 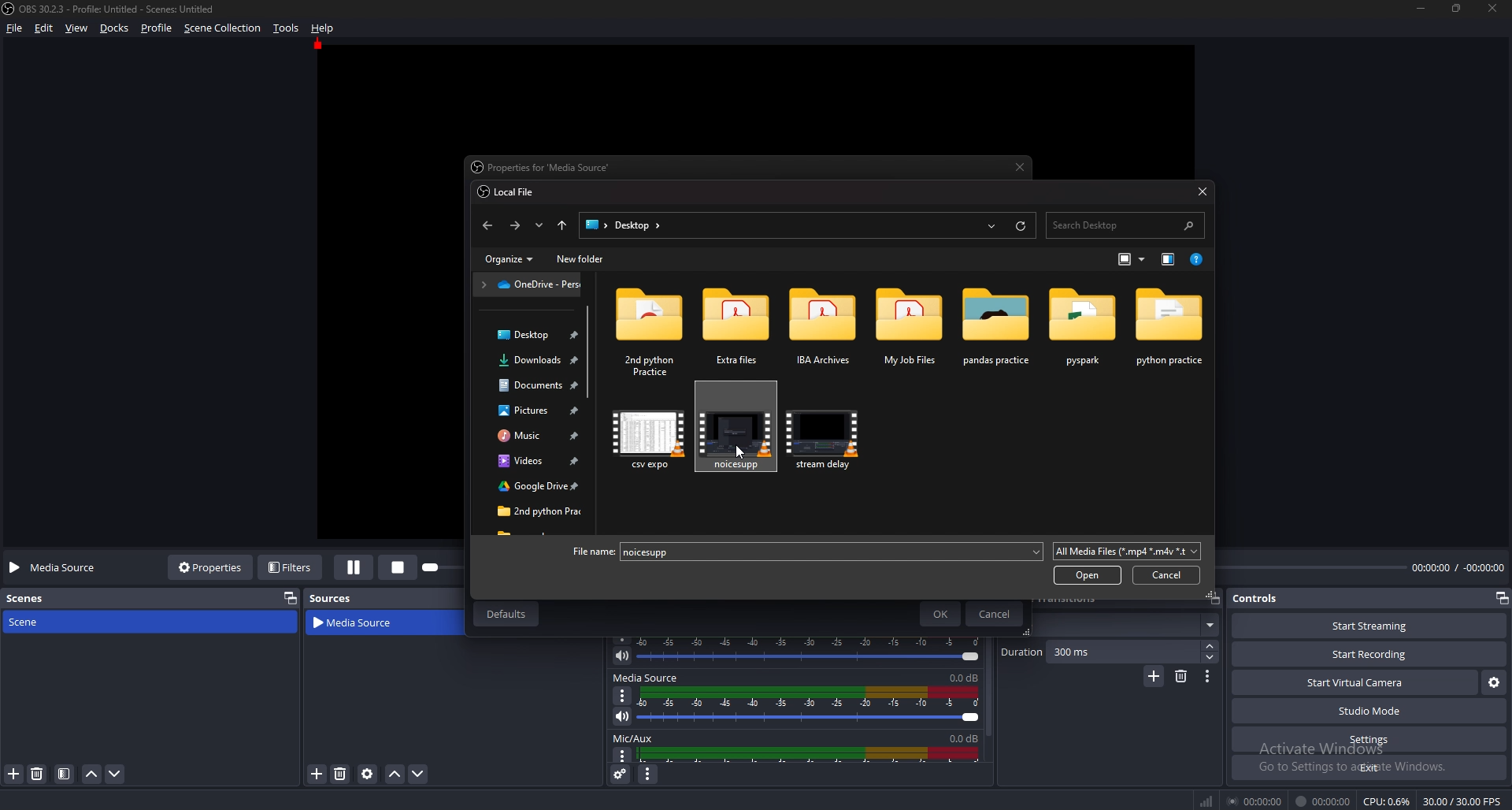 I want to click on help, so click(x=1200, y=258).